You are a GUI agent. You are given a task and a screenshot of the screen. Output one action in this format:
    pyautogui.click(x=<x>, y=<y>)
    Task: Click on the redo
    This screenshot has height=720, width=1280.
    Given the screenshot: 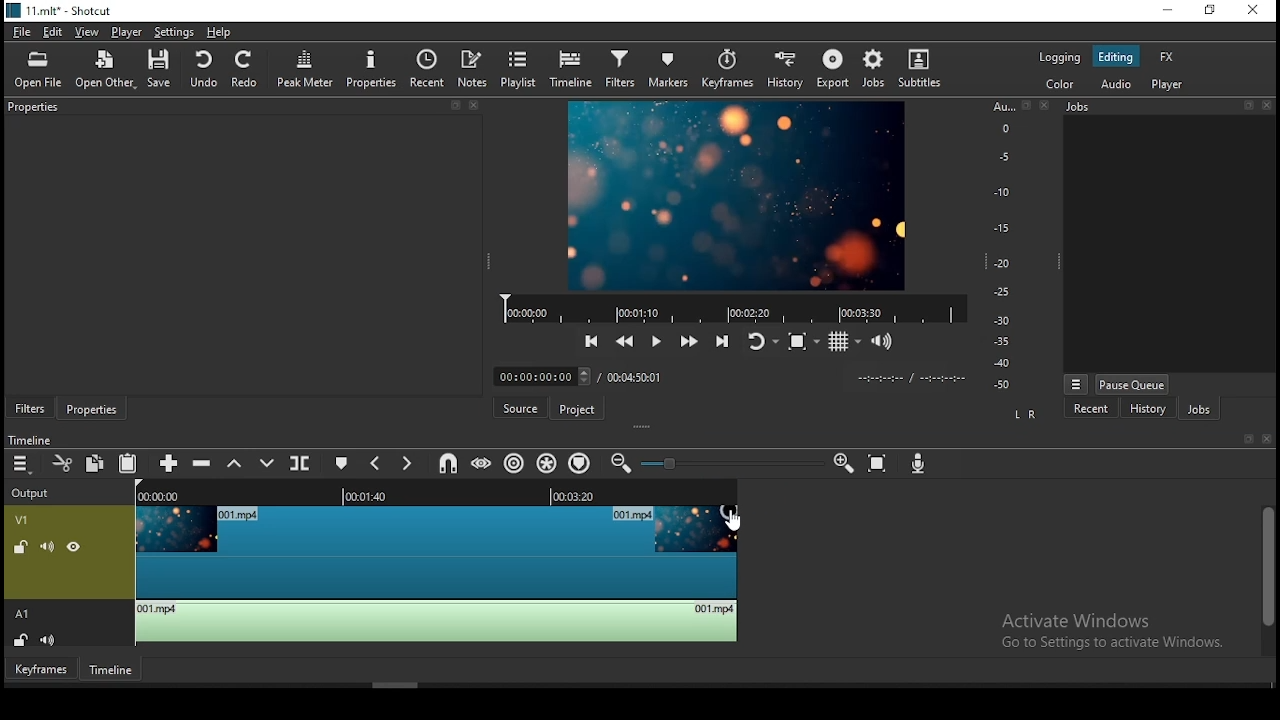 What is the action you would take?
    pyautogui.click(x=246, y=70)
    